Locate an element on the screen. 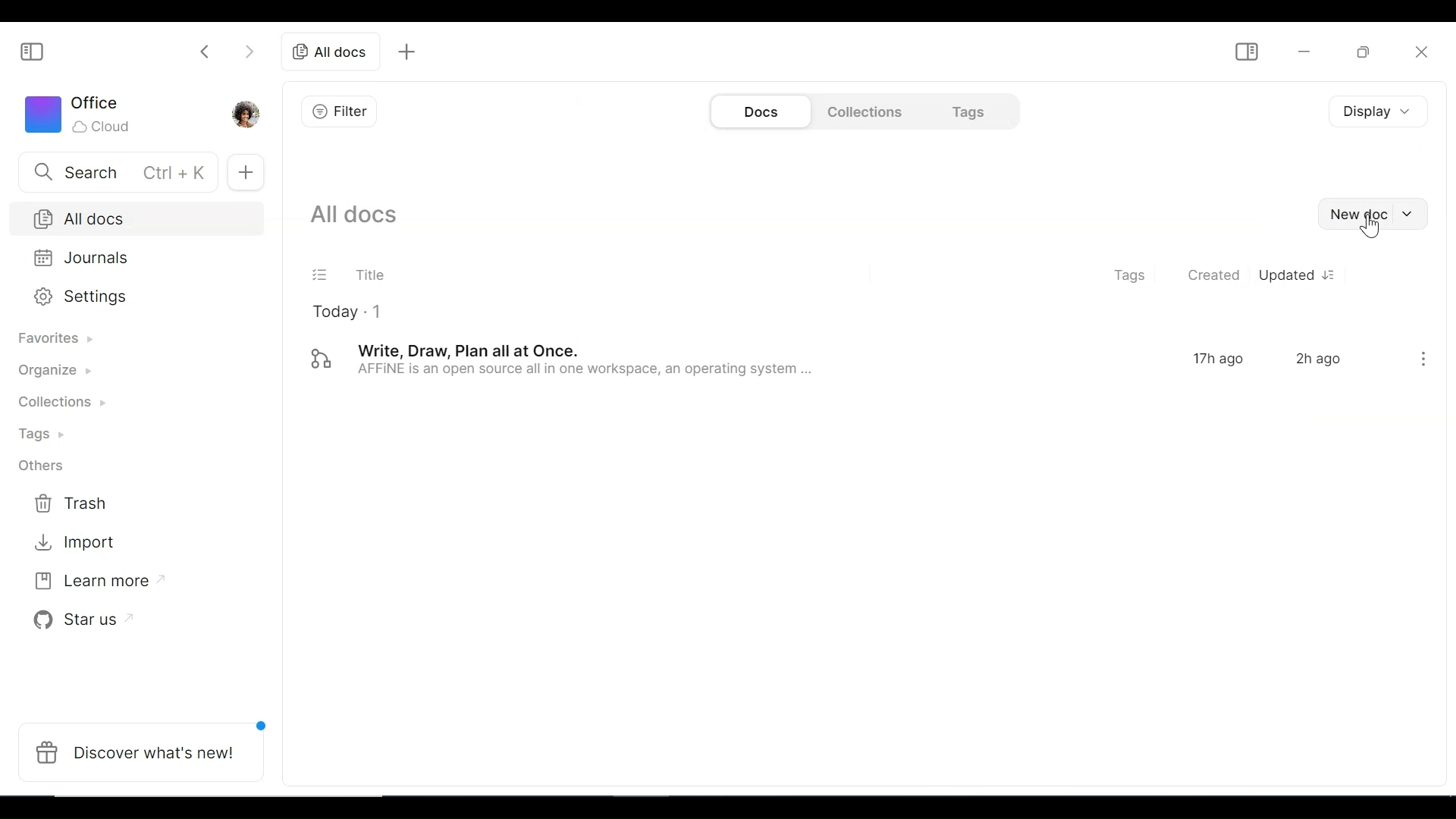 This screenshot has width=1456, height=819. tags is located at coordinates (1126, 275).